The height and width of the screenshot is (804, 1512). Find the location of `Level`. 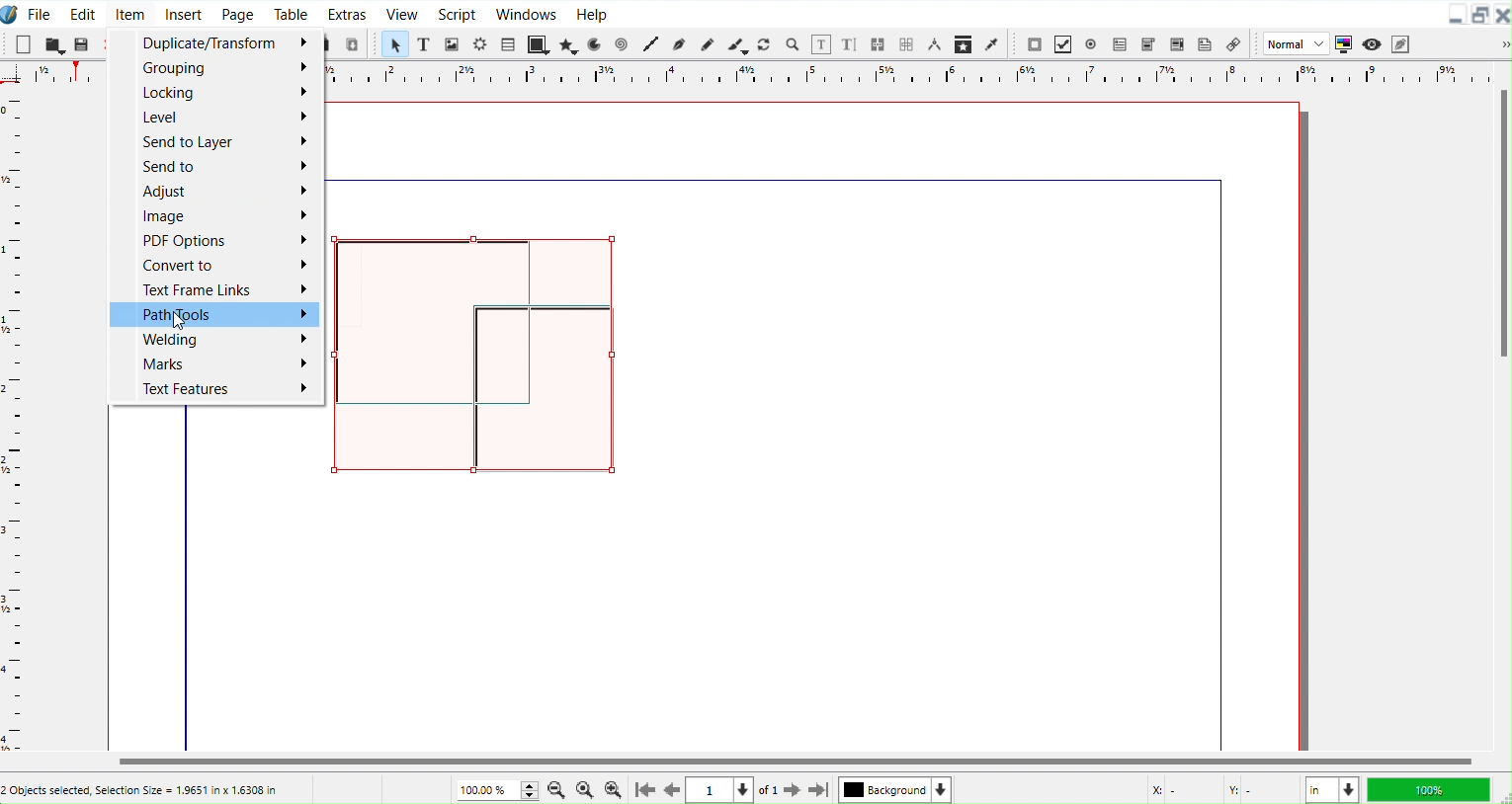

Level is located at coordinates (214, 117).